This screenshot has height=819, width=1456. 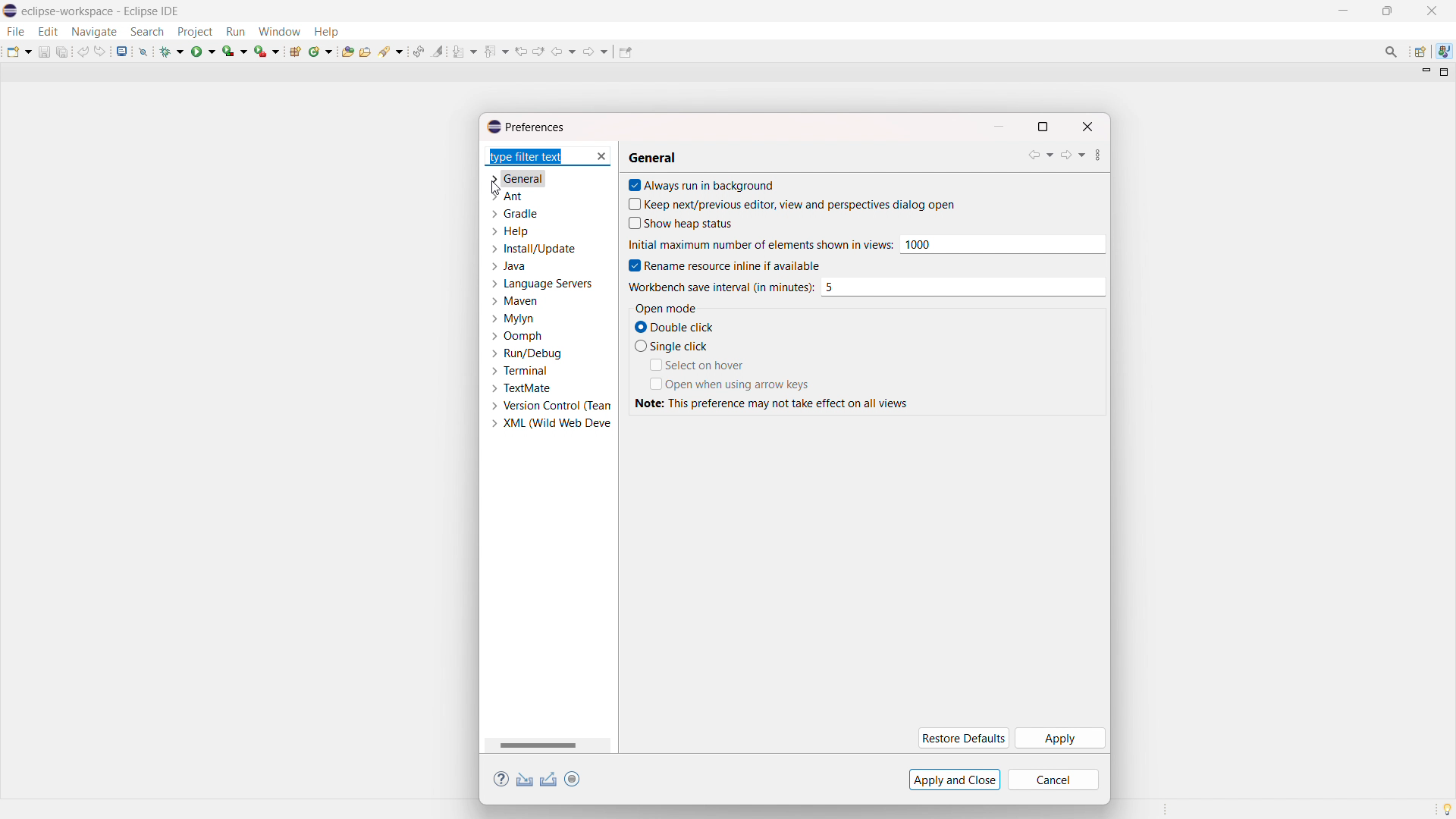 What do you see at coordinates (600, 157) in the screenshot?
I see `delete filter` at bounding box center [600, 157].